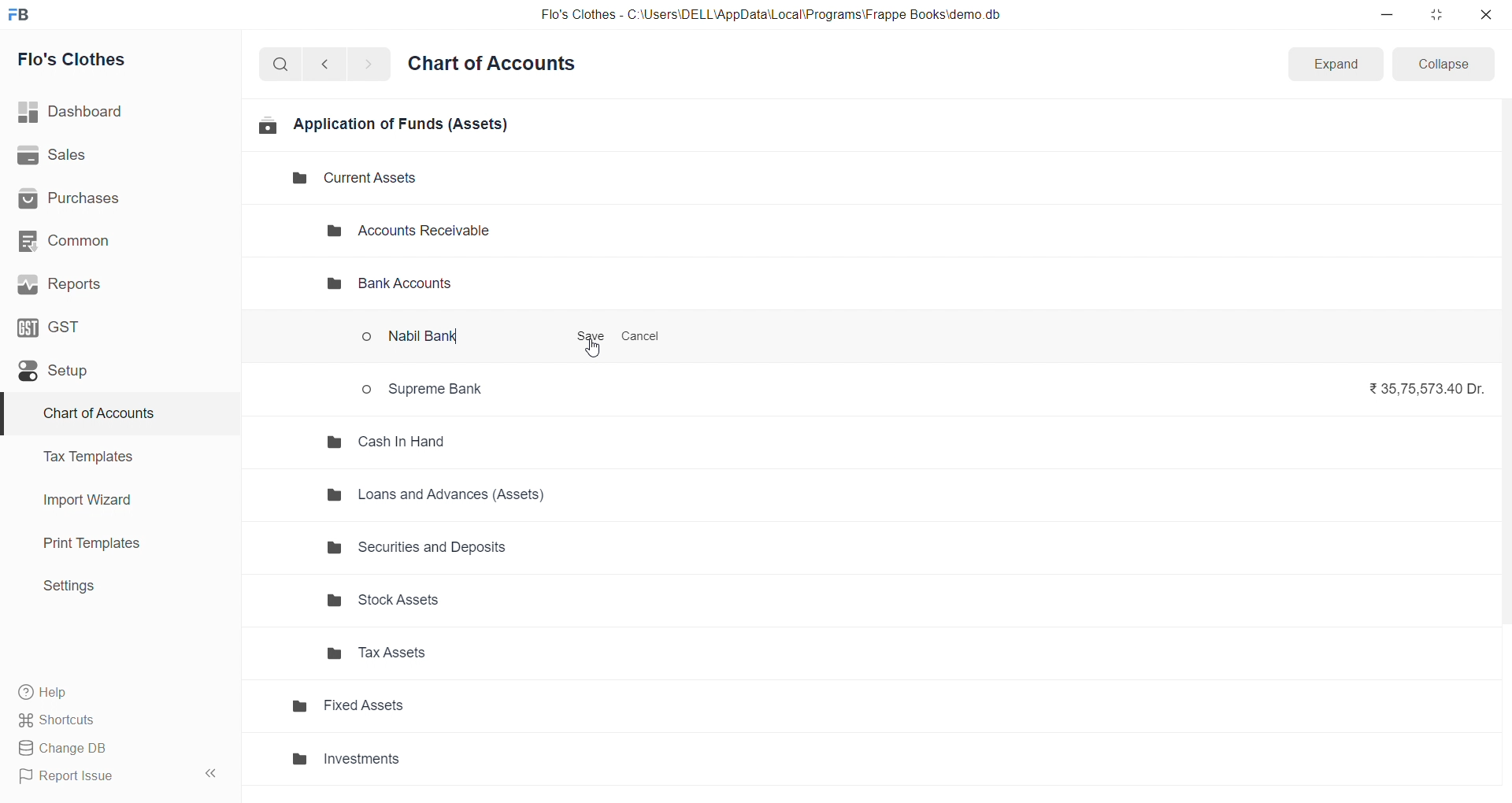 Image resolution: width=1512 pixels, height=803 pixels. Describe the element at coordinates (114, 691) in the screenshot. I see `Help` at that location.